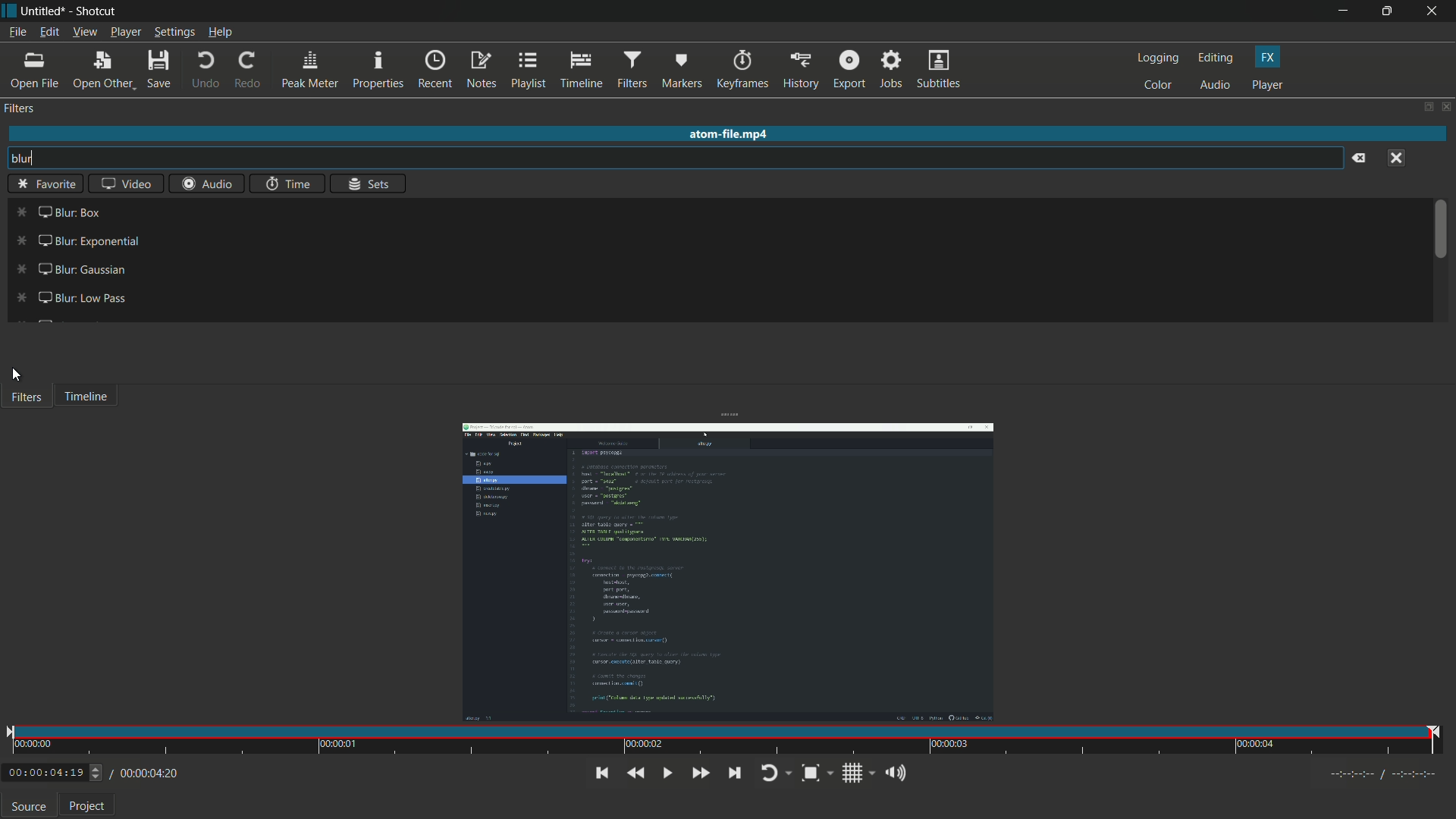 This screenshot has height=819, width=1456. I want to click on audio, so click(1216, 86).